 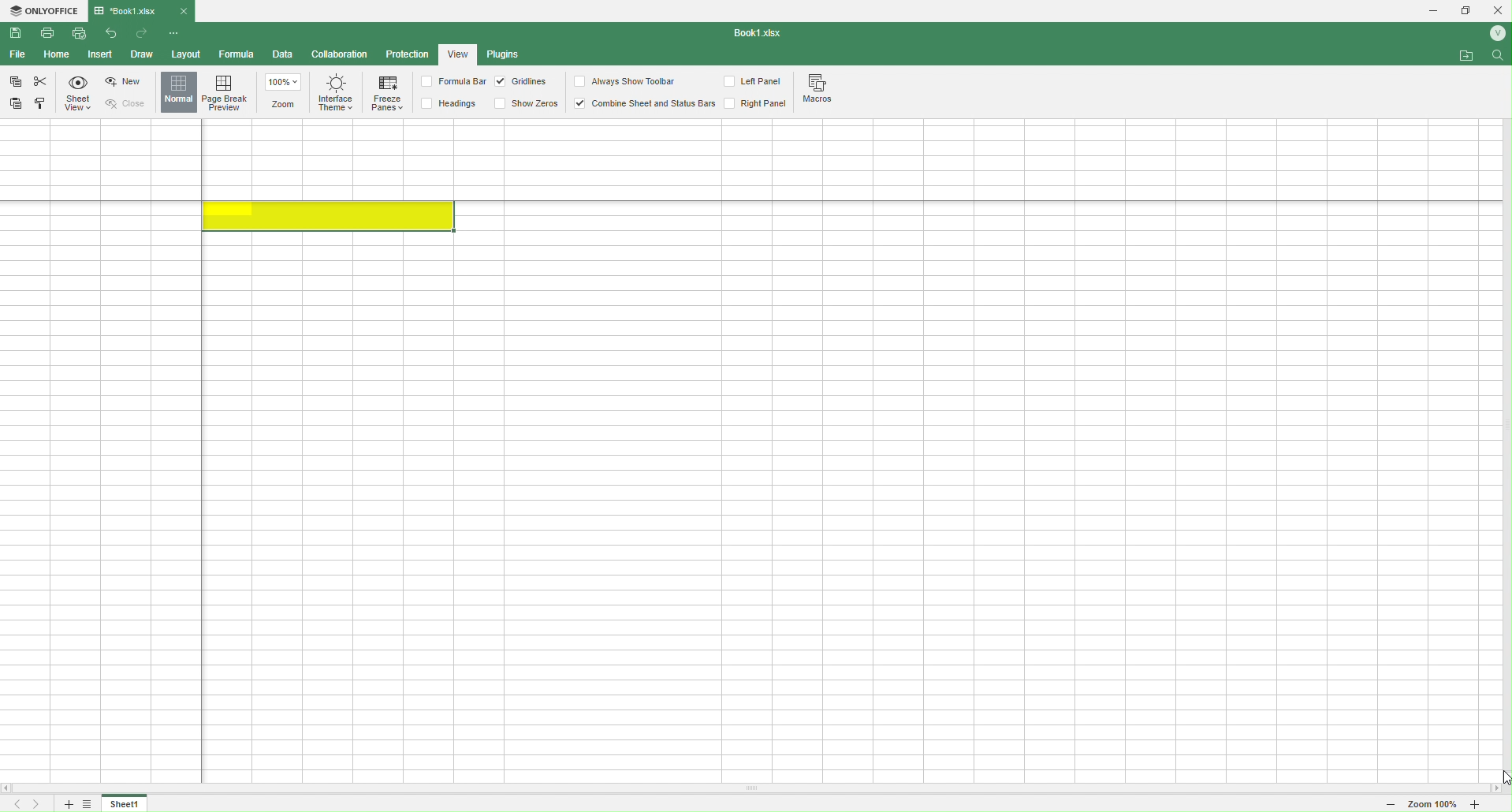 I want to click on Close, so click(x=1498, y=9).